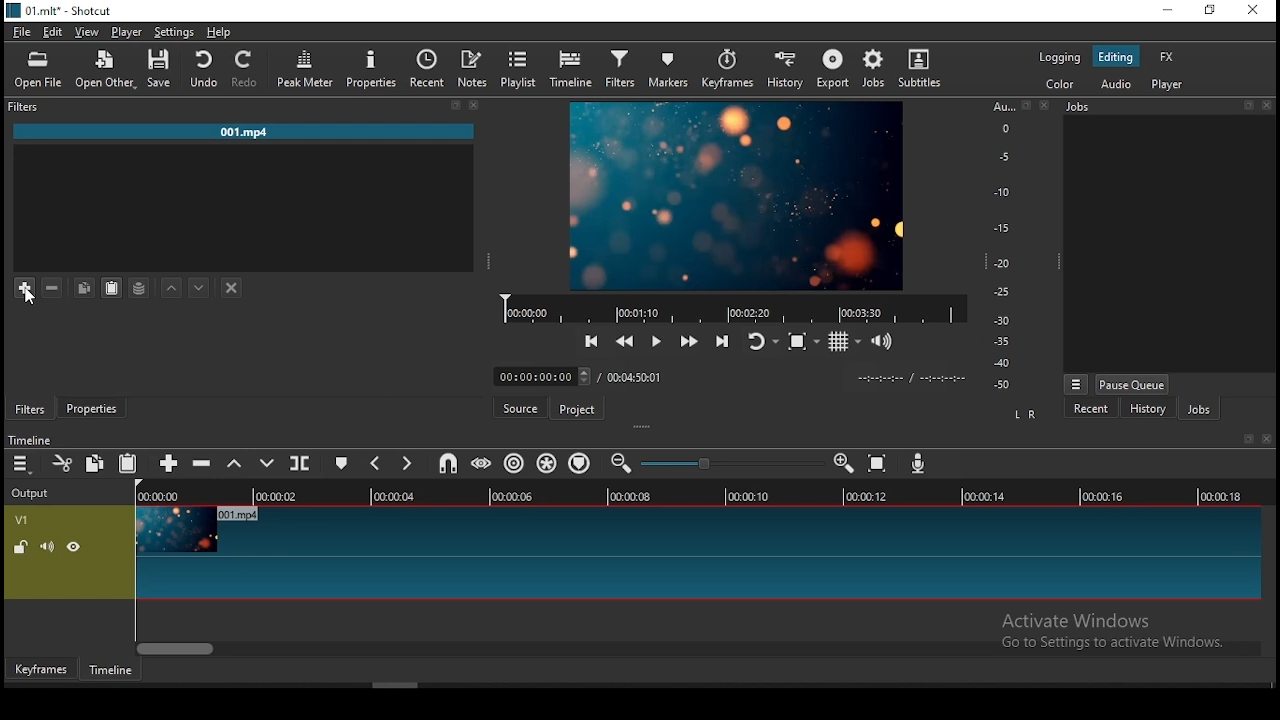 The height and width of the screenshot is (720, 1280). What do you see at coordinates (99, 462) in the screenshot?
I see `copy` at bounding box center [99, 462].